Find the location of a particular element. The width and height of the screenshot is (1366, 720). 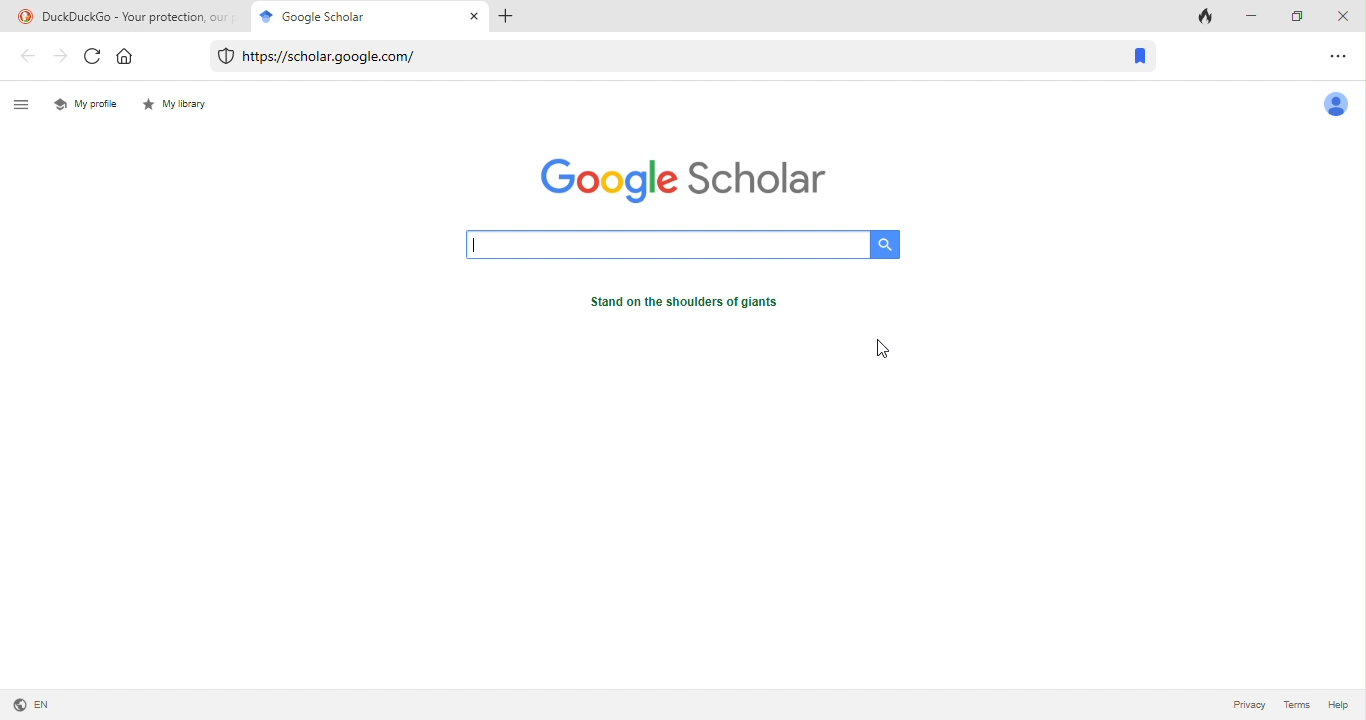

maximize is located at coordinates (1301, 15).